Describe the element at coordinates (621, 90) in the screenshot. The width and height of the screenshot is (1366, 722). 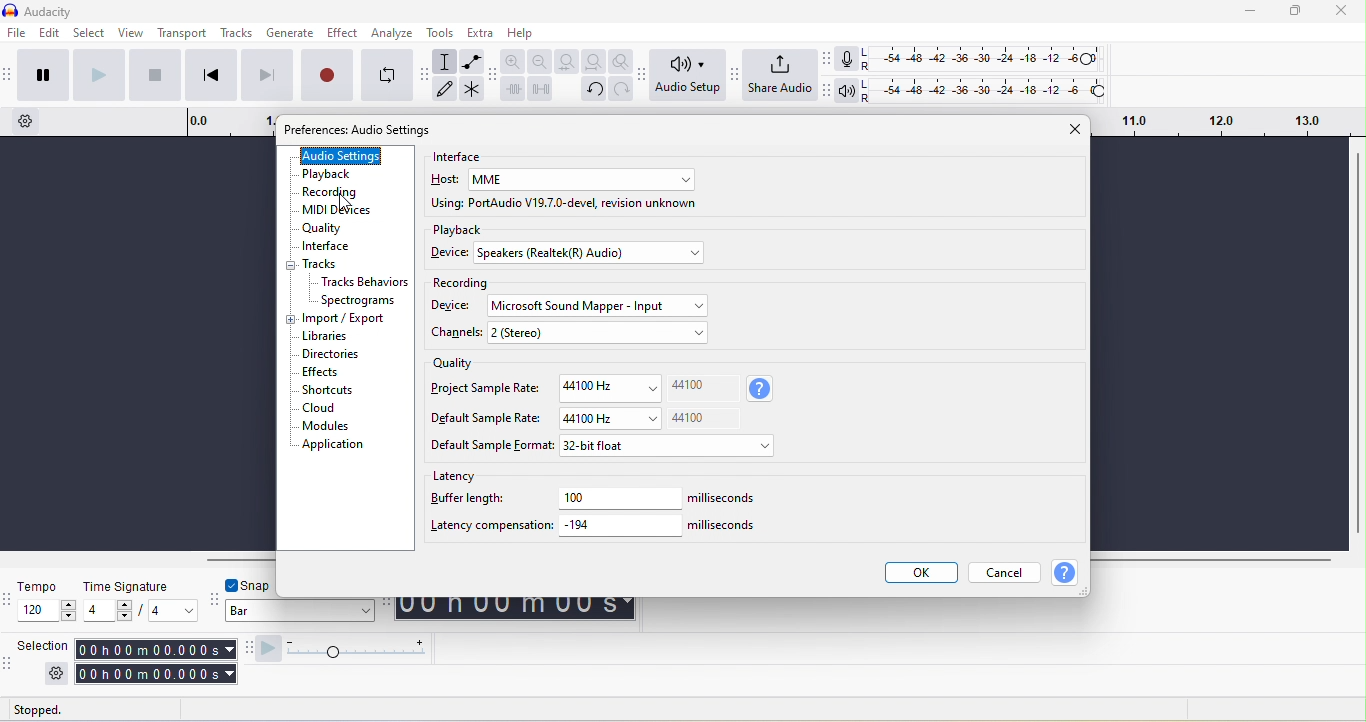
I see `redo` at that location.